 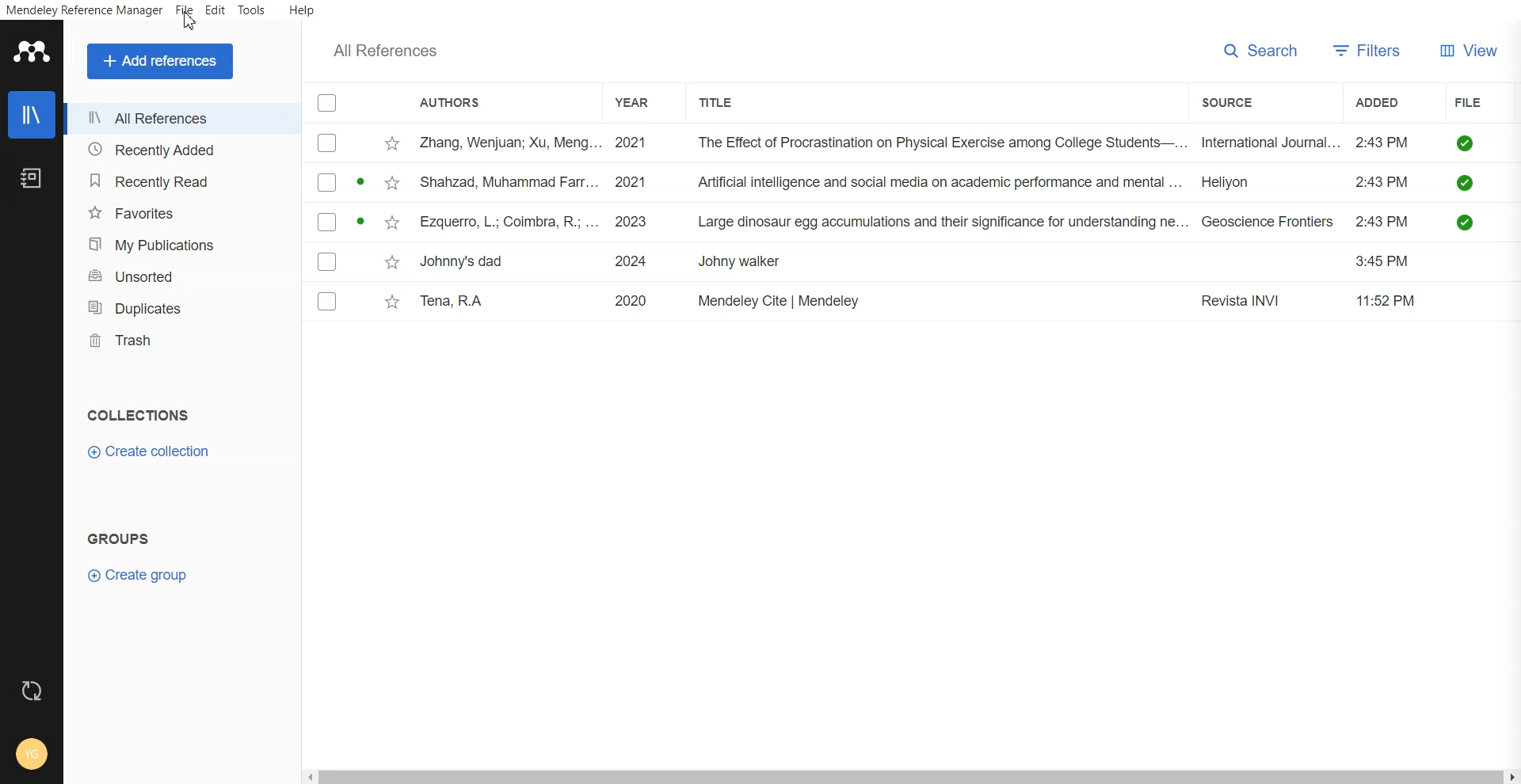 What do you see at coordinates (308, 776) in the screenshot?
I see `scroll left` at bounding box center [308, 776].